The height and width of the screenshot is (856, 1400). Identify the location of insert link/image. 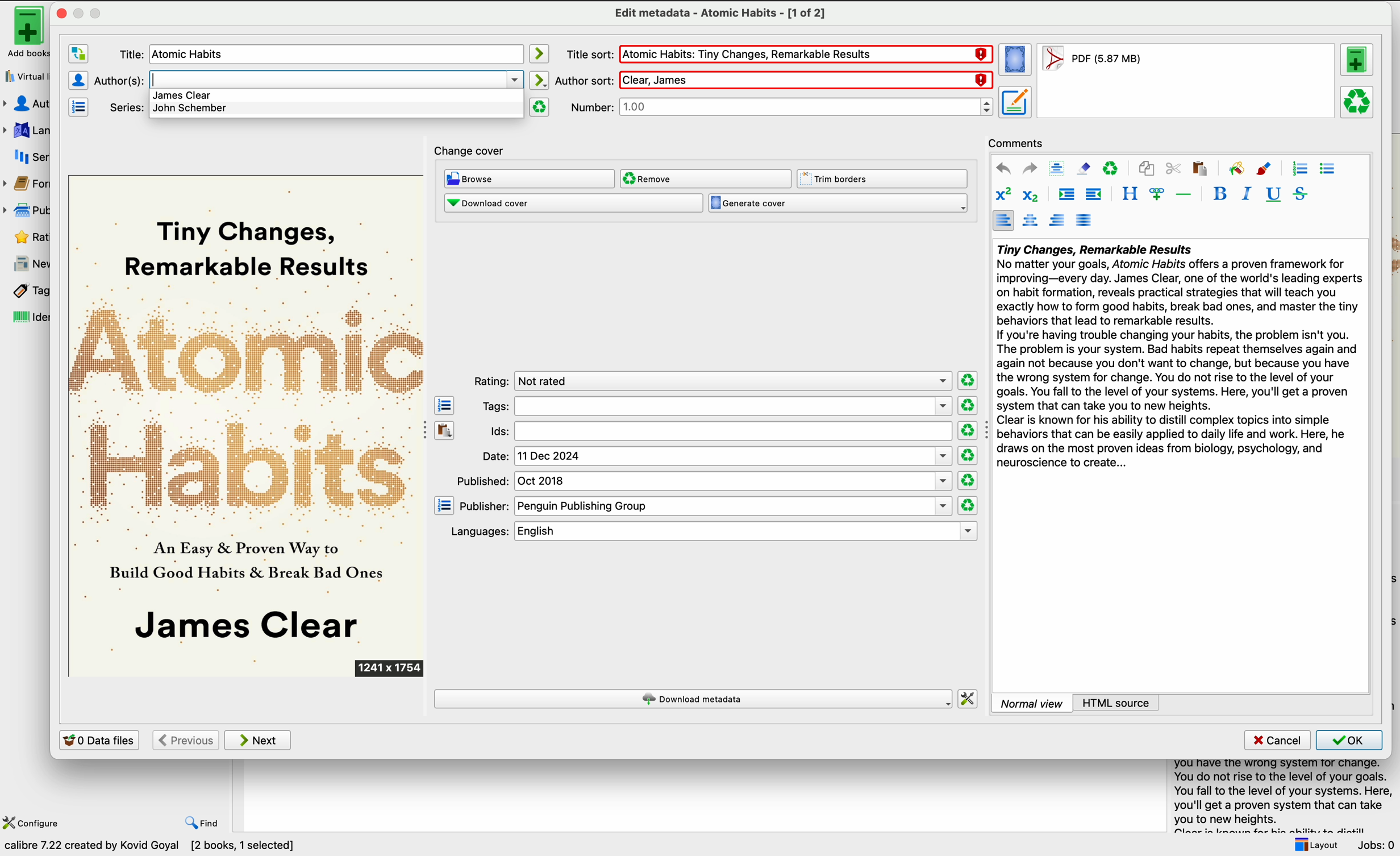
(1156, 195).